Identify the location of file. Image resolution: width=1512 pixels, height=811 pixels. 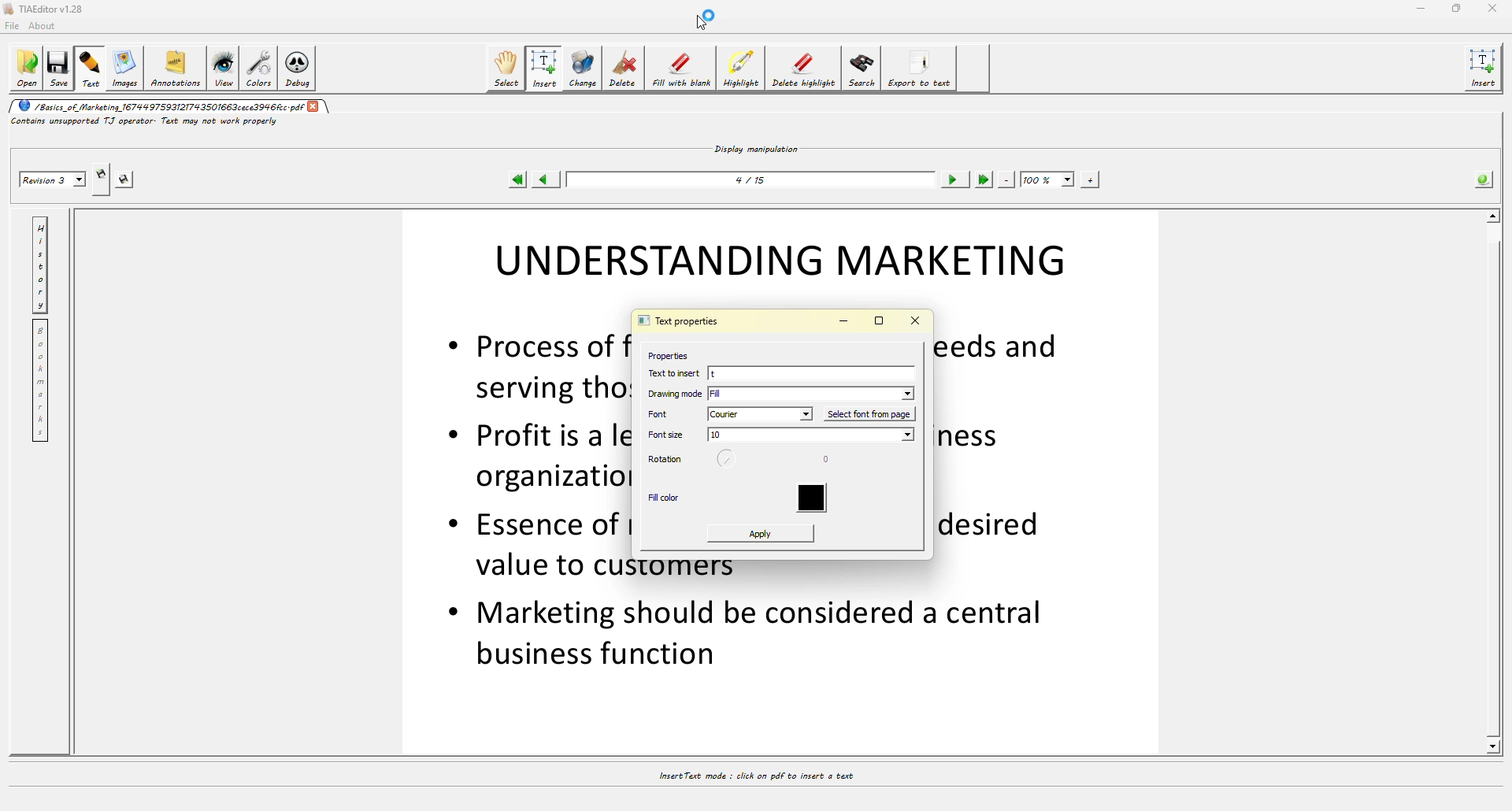
(15, 25).